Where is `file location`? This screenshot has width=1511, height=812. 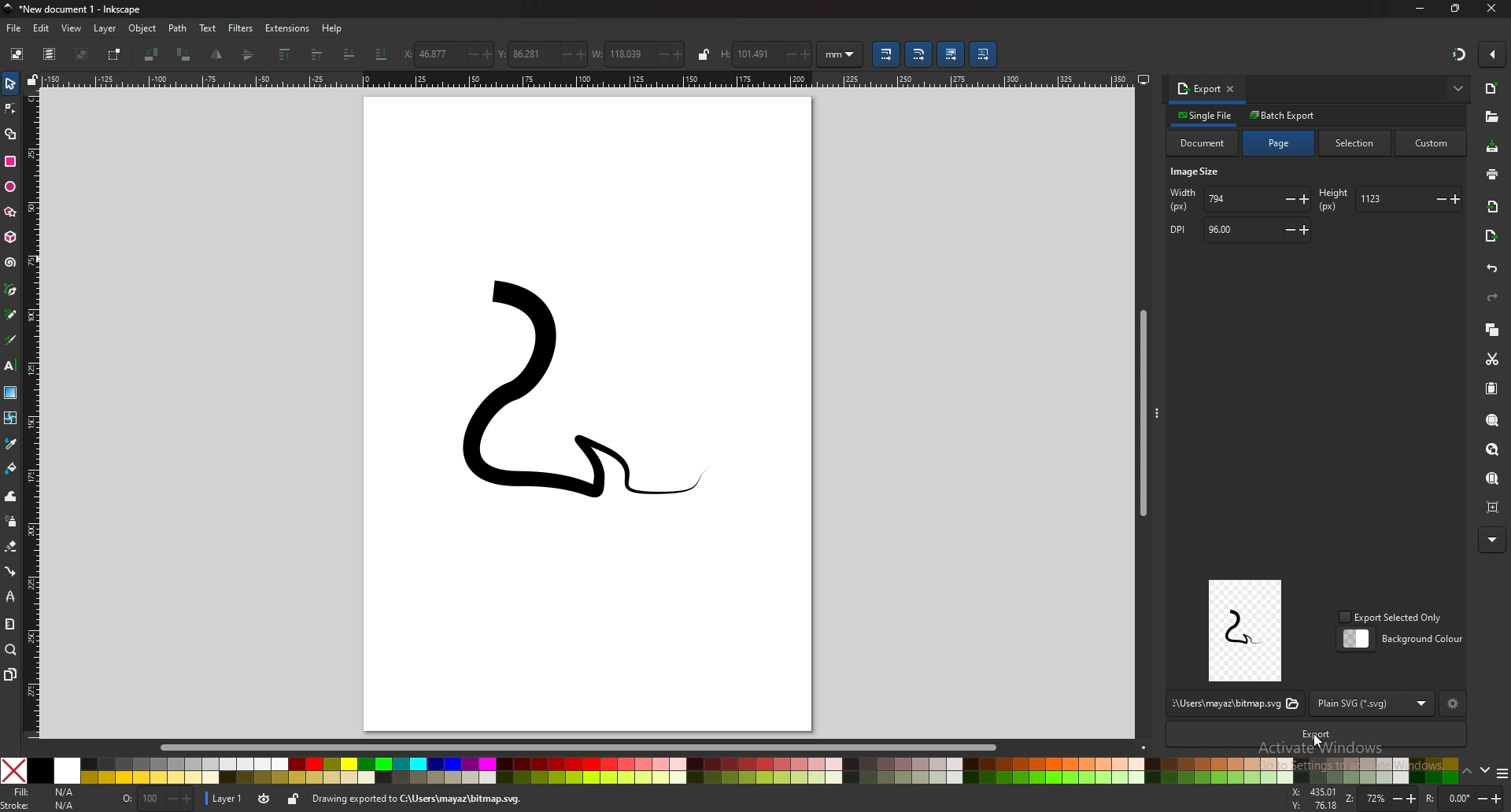 file location is located at coordinates (1234, 704).